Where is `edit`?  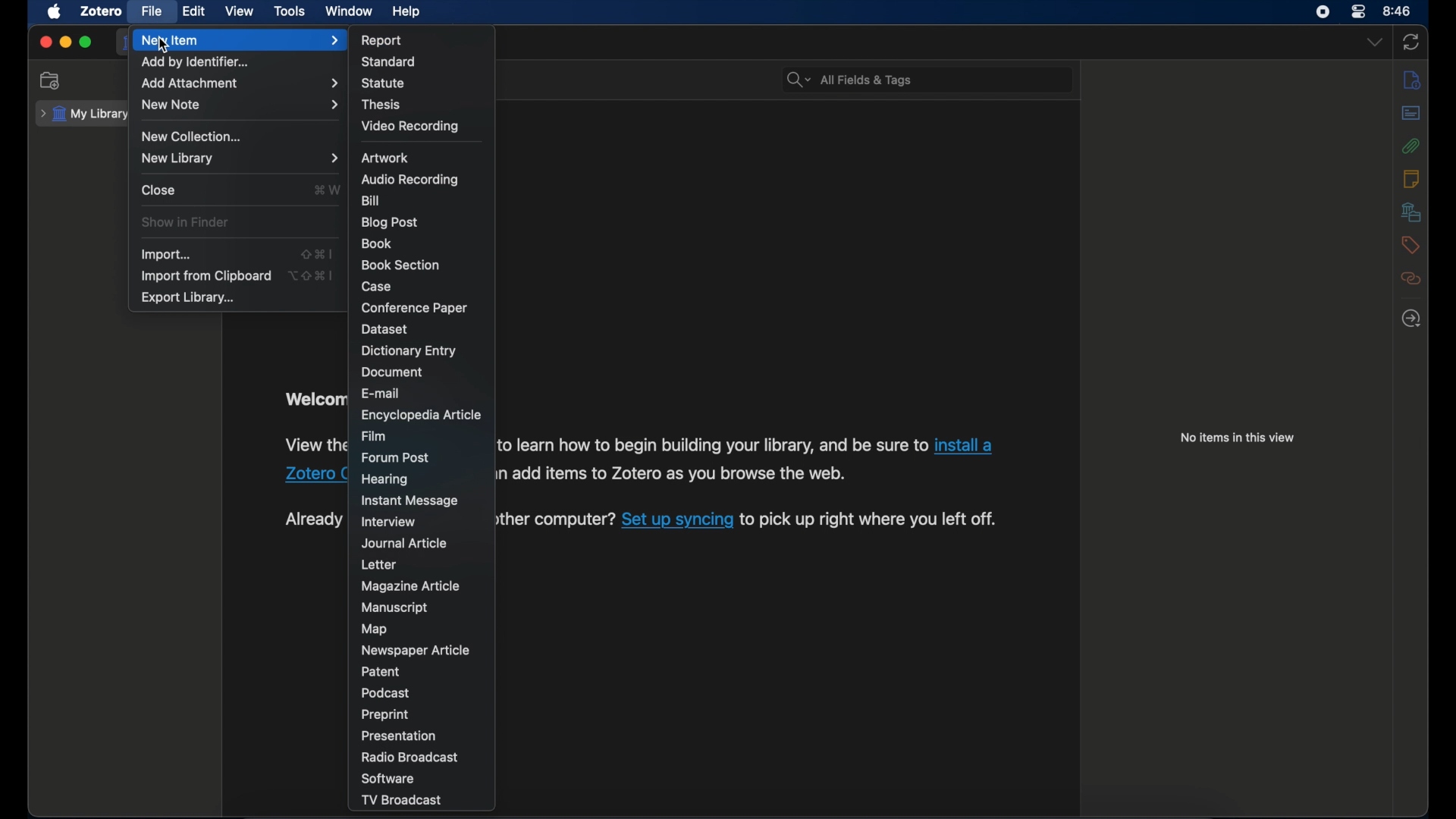
edit is located at coordinates (195, 12).